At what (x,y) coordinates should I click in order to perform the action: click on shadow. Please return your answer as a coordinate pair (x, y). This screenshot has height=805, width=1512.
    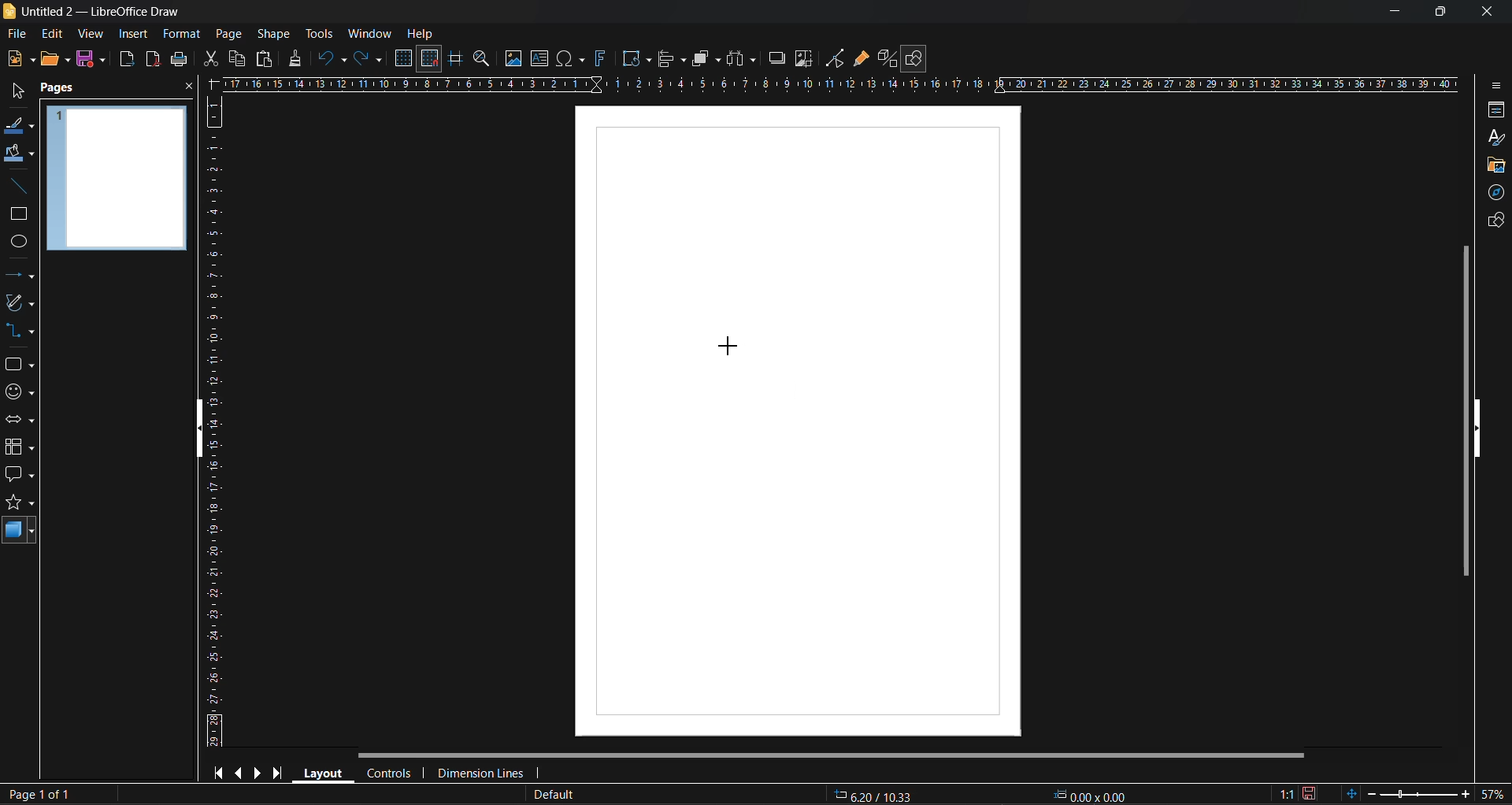
    Looking at the image, I should click on (775, 57).